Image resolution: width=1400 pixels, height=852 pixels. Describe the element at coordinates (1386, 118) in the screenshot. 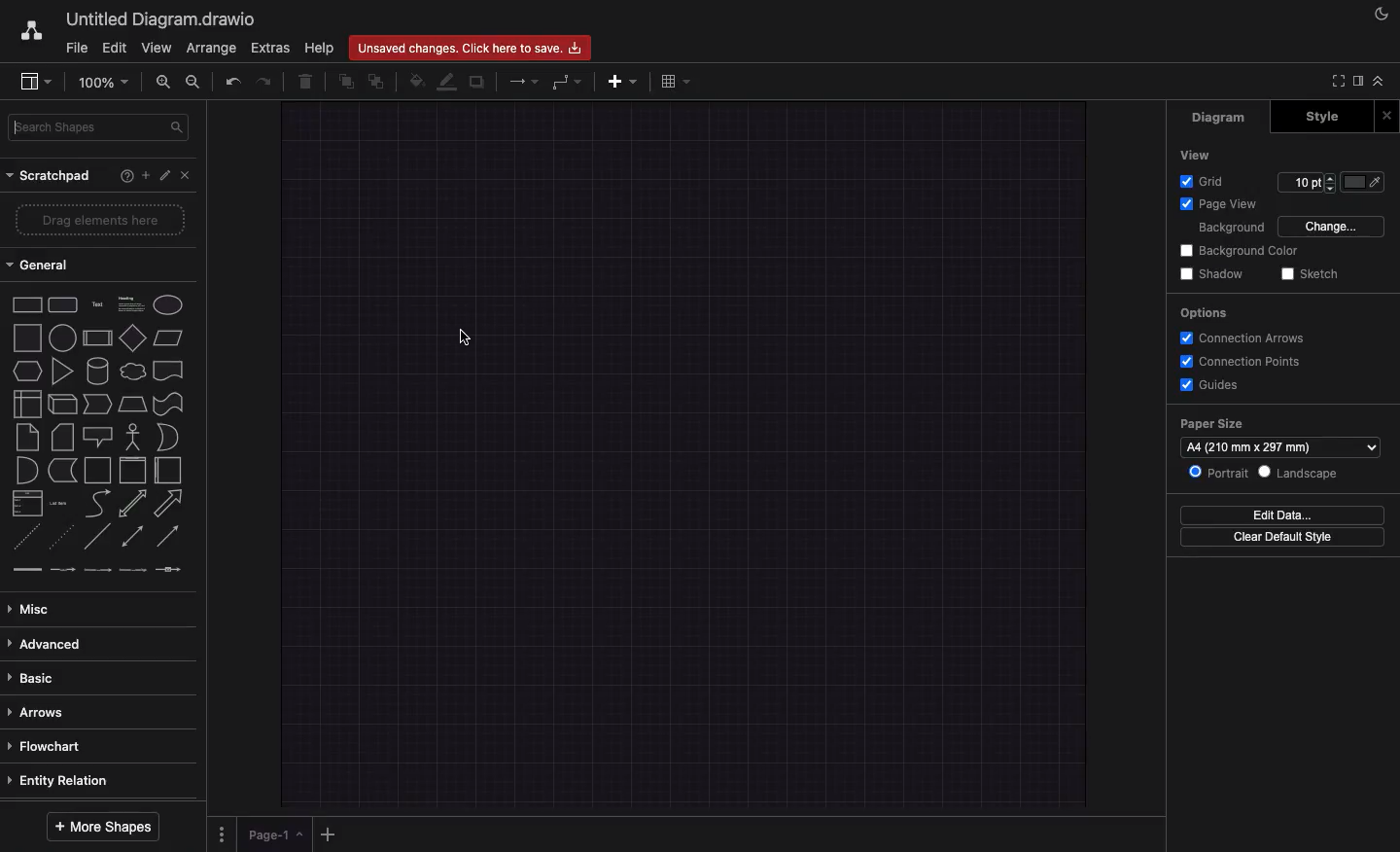

I see `Close` at that location.